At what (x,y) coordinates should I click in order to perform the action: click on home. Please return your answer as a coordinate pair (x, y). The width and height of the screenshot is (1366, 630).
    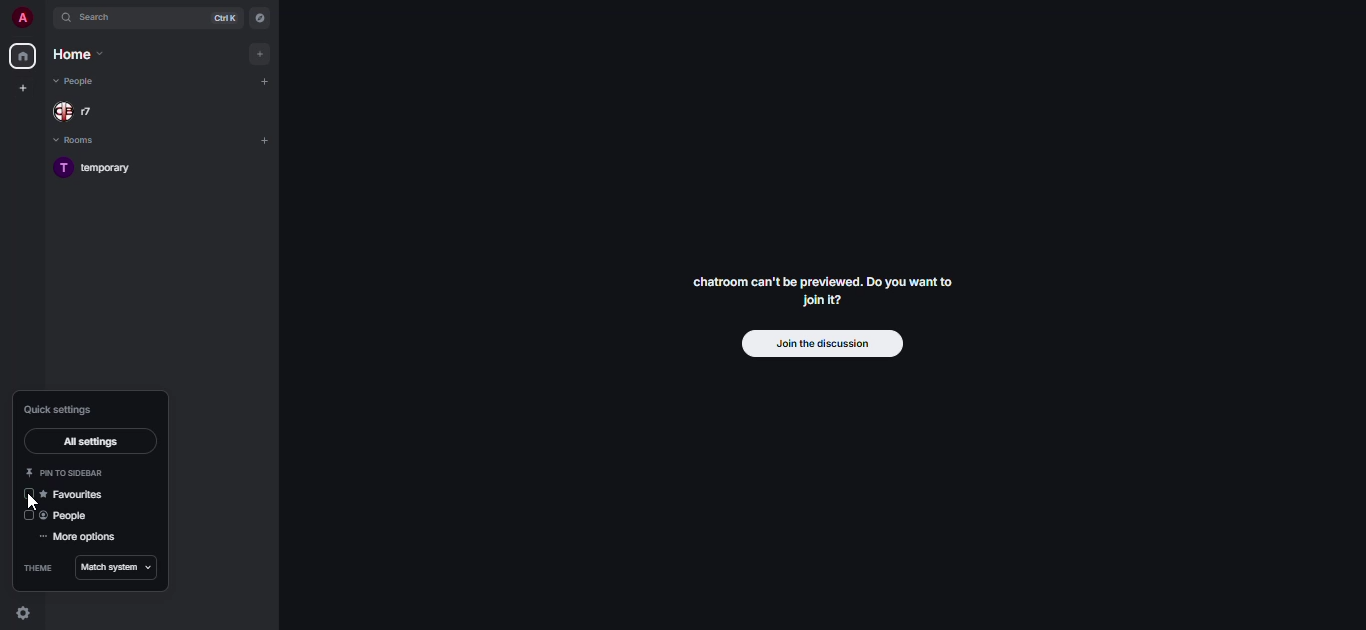
    Looking at the image, I should click on (73, 57).